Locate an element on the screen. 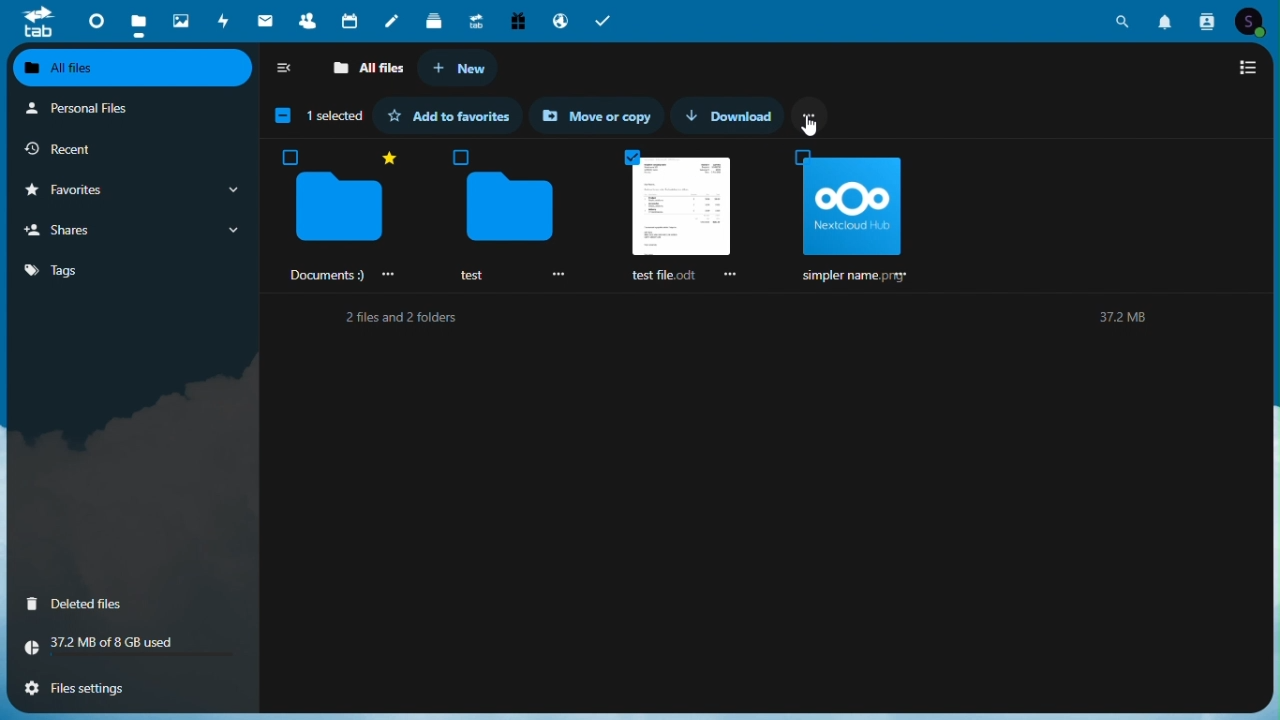 The height and width of the screenshot is (720, 1280). All files is located at coordinates (370, 70).